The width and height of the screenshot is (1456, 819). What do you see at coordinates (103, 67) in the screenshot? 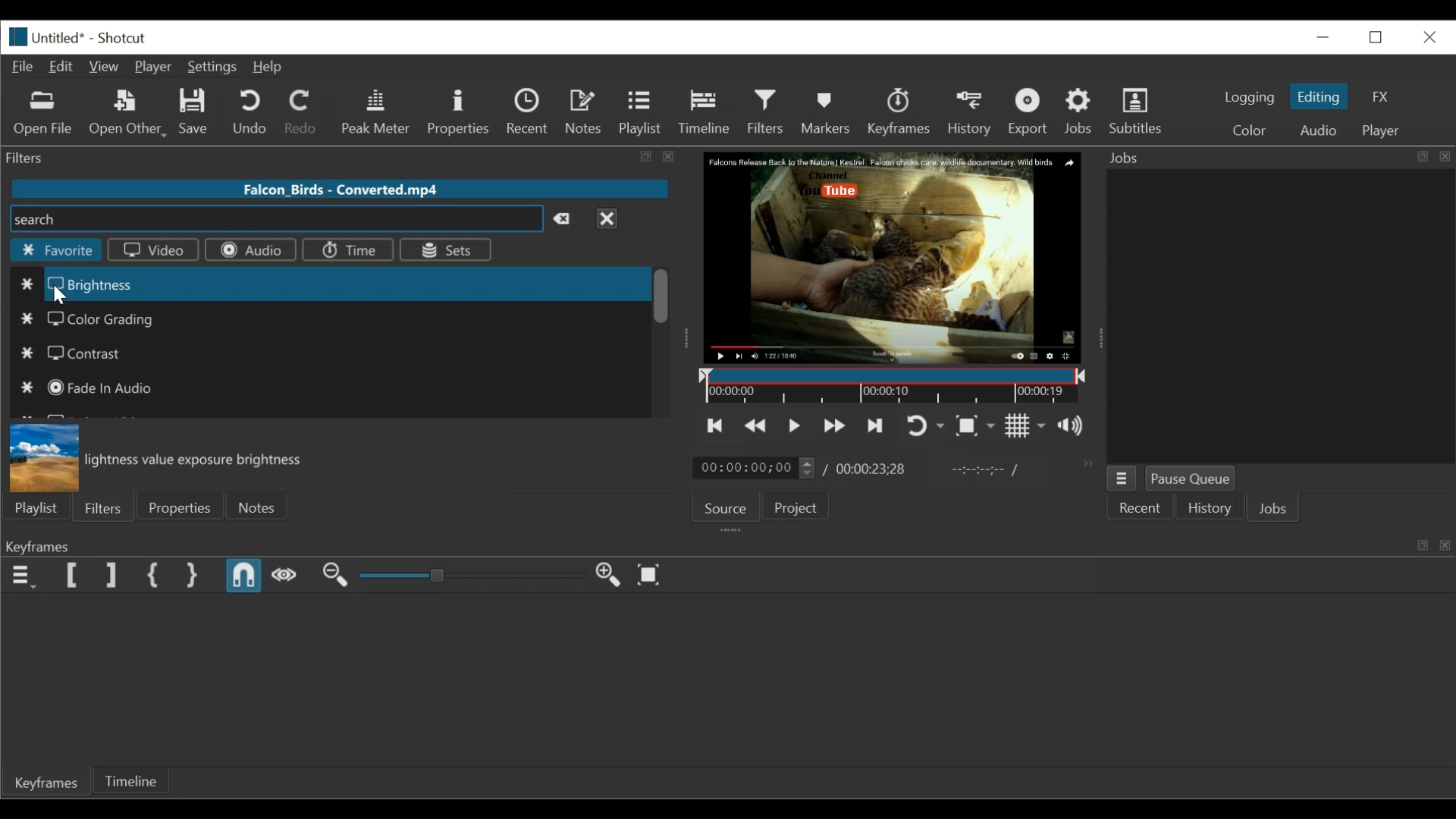
I see `View` at bounding box center [103, 67].